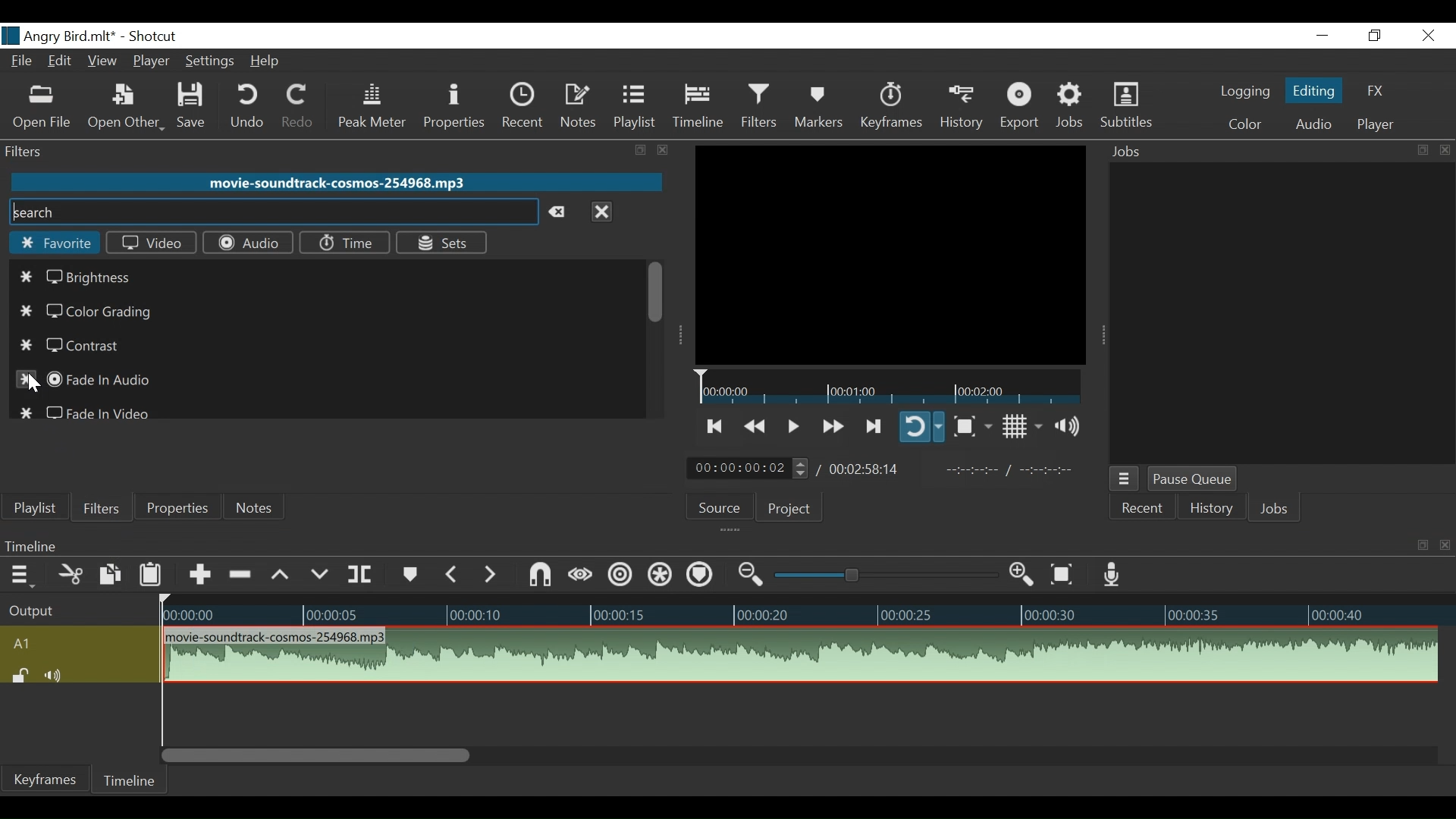 Image resolution: width=1456 pixels, height=819 pixels. I want to click on File, so click(24, 63).